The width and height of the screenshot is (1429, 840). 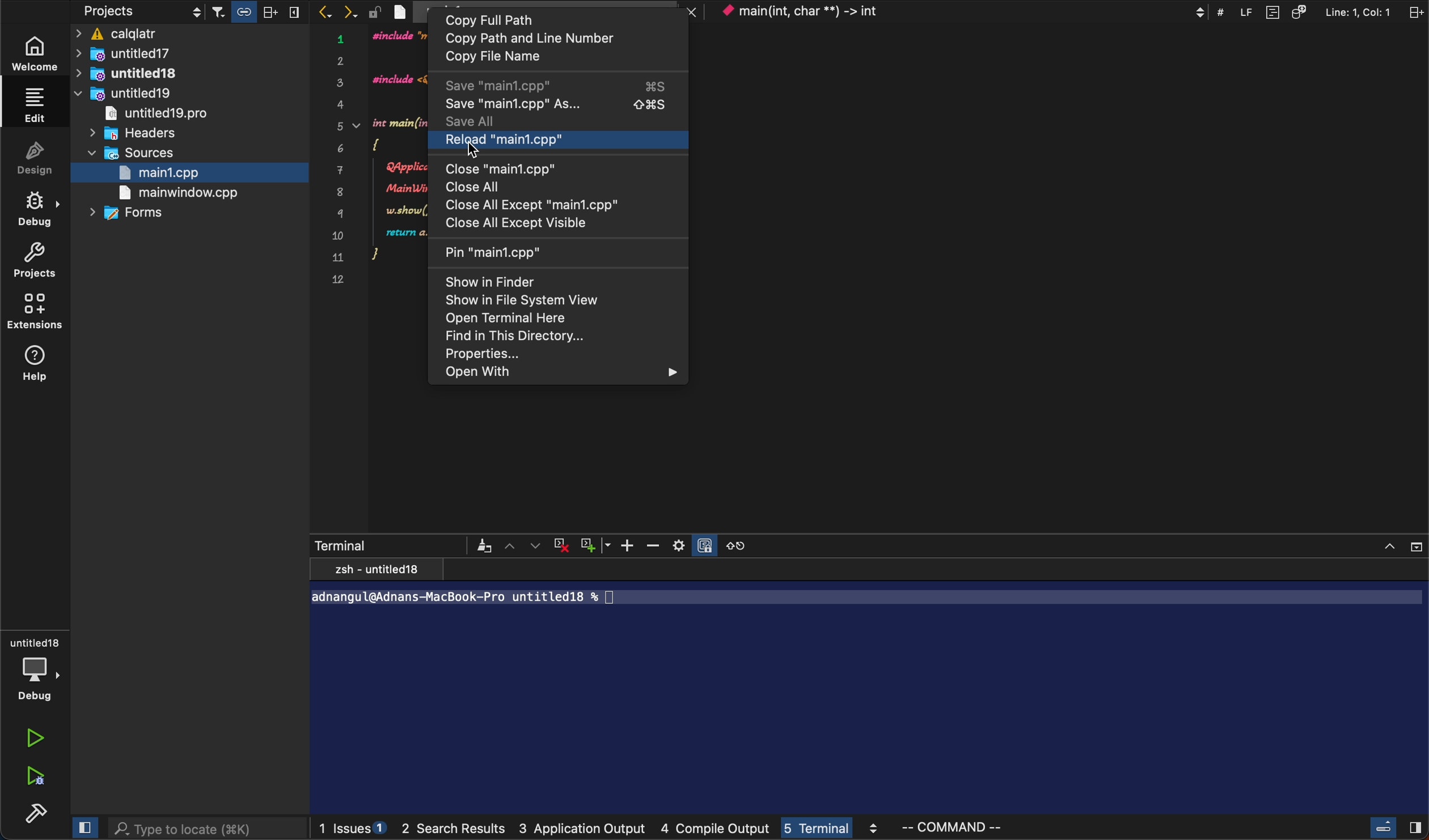 What do you see at coordinates (530, 204) in the screenshot?
I see `close except main 1` at bounding box center [530, 204].